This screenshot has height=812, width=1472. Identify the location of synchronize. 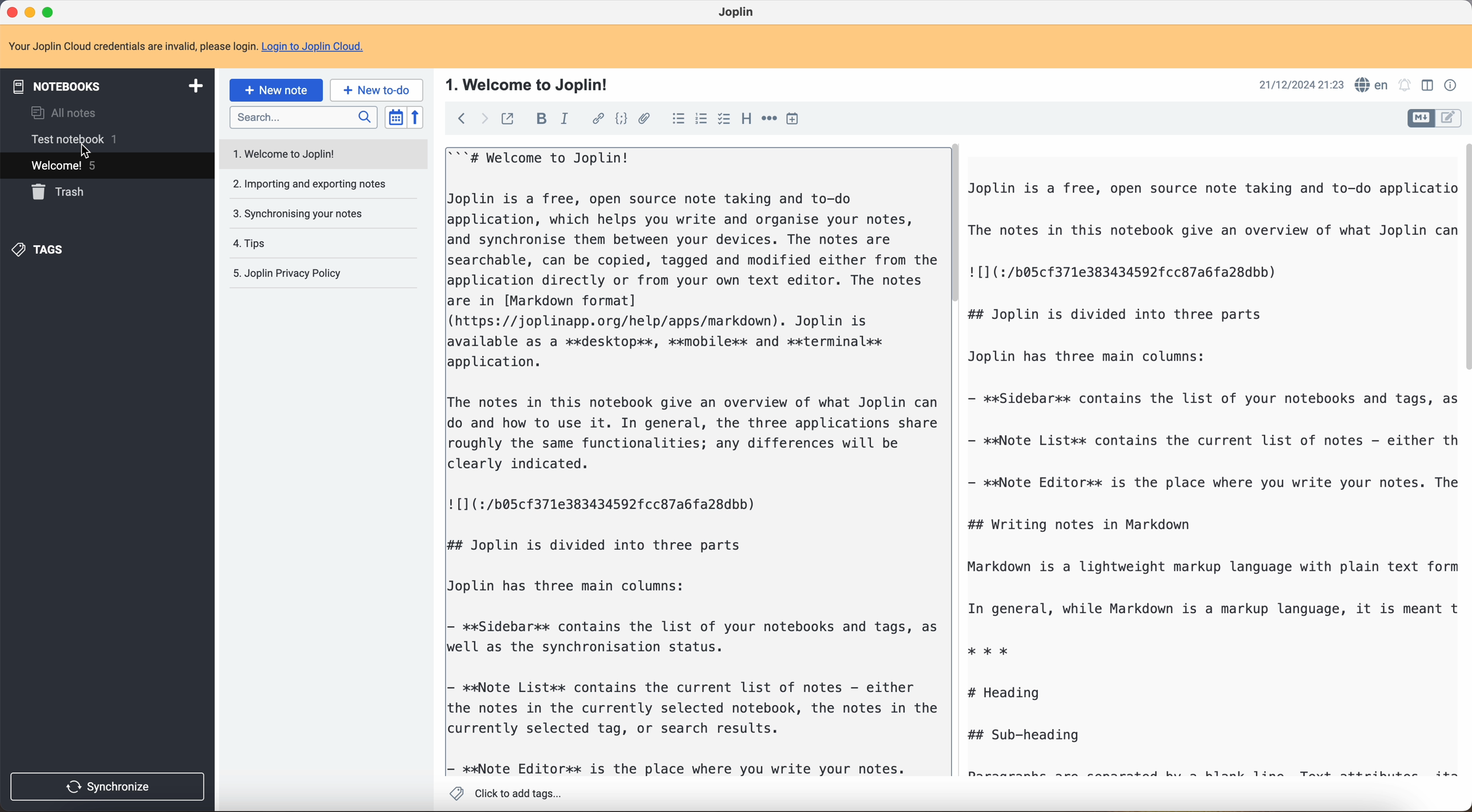
(107, 786).